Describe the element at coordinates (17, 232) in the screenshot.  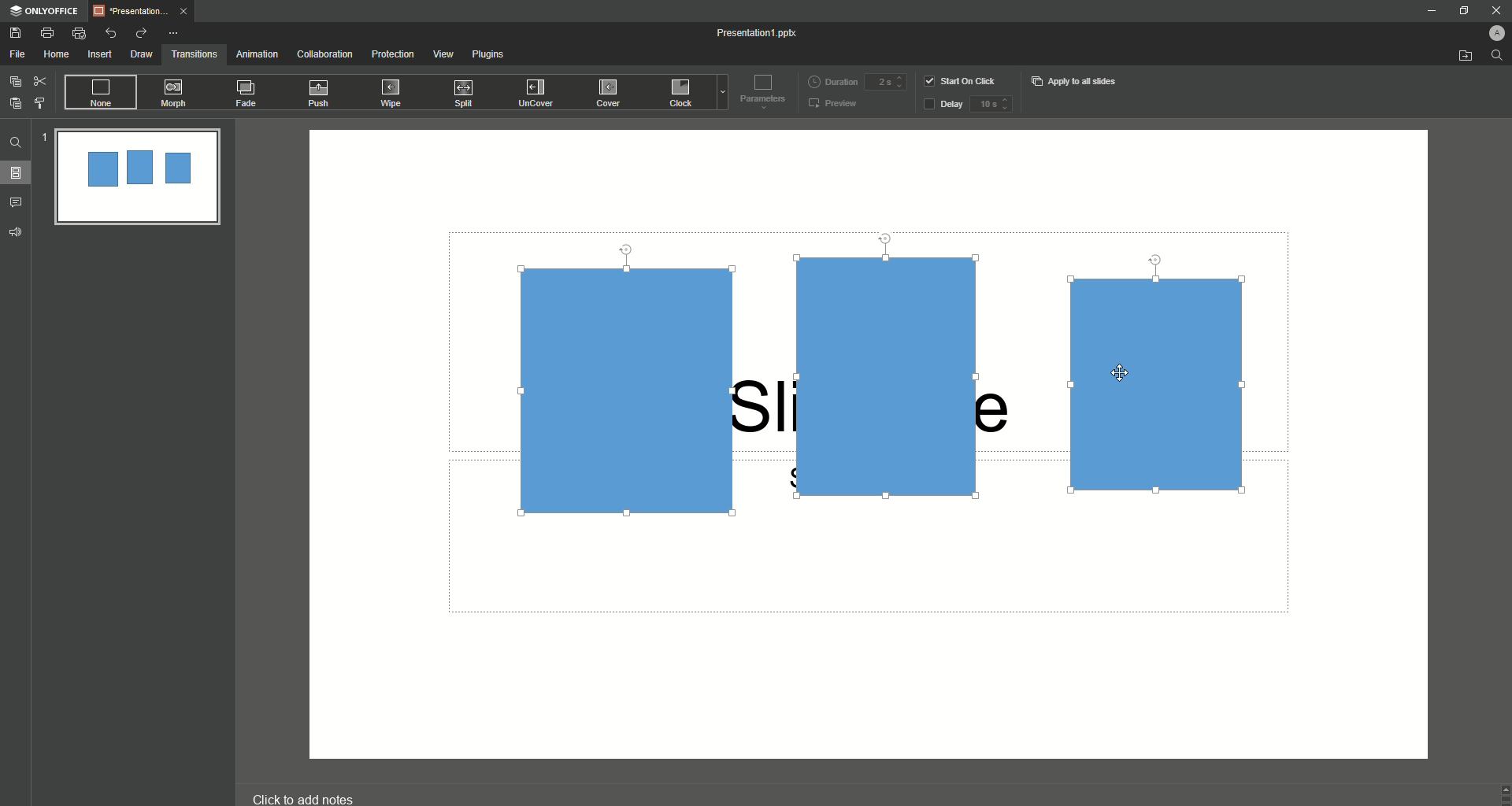
I see `Feedback` at that location.